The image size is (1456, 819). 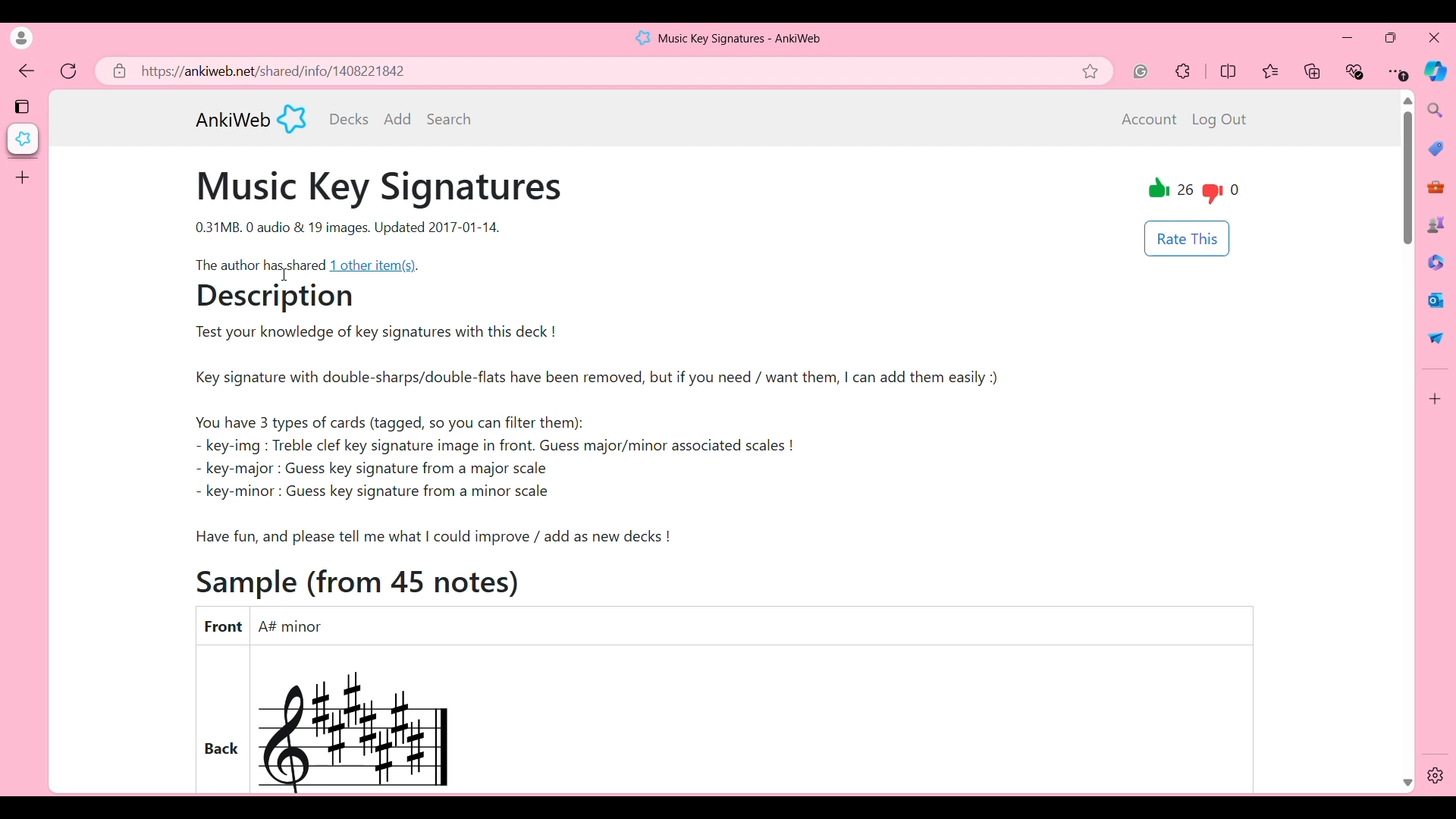 I want to click on Click to go back, so click(x=27, y=72).